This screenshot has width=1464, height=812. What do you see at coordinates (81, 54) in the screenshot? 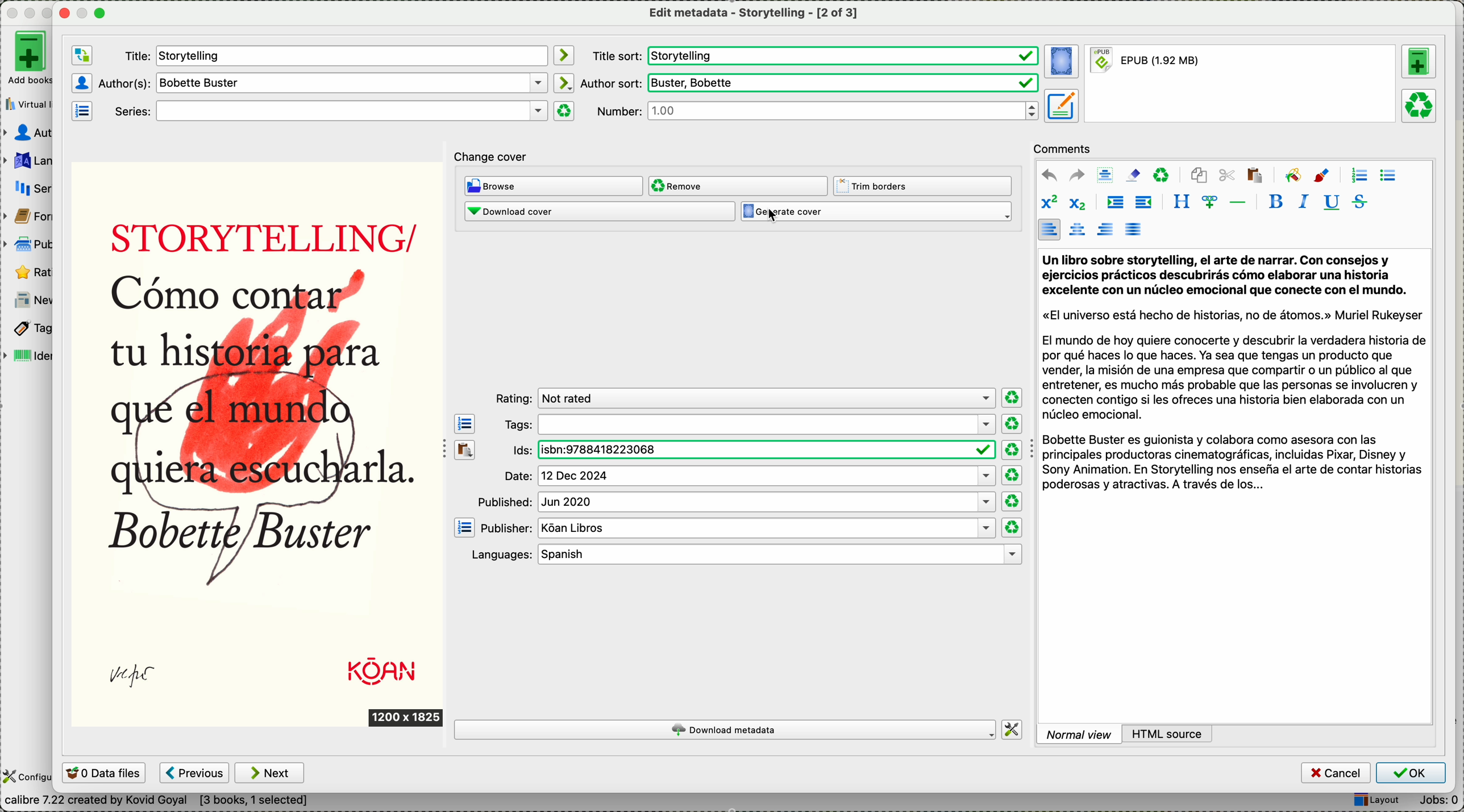
I see `swap the autor and title` at bounding box center [81, 54].